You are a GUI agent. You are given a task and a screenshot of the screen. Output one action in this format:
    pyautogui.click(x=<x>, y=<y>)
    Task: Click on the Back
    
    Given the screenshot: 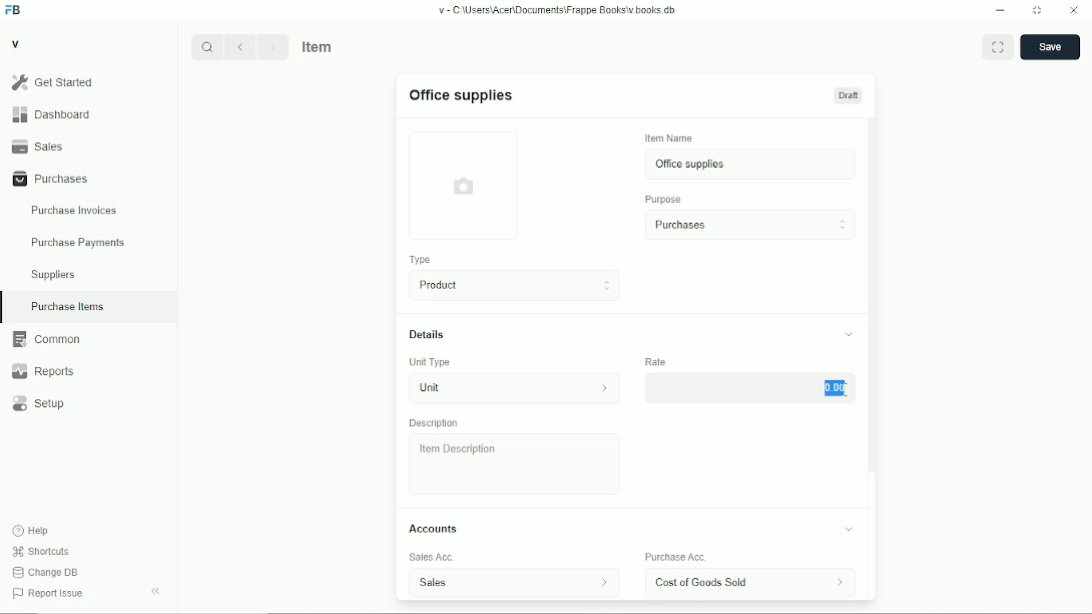 What is the action you would take?
    pyautogui.click(x=239, y=46)
    